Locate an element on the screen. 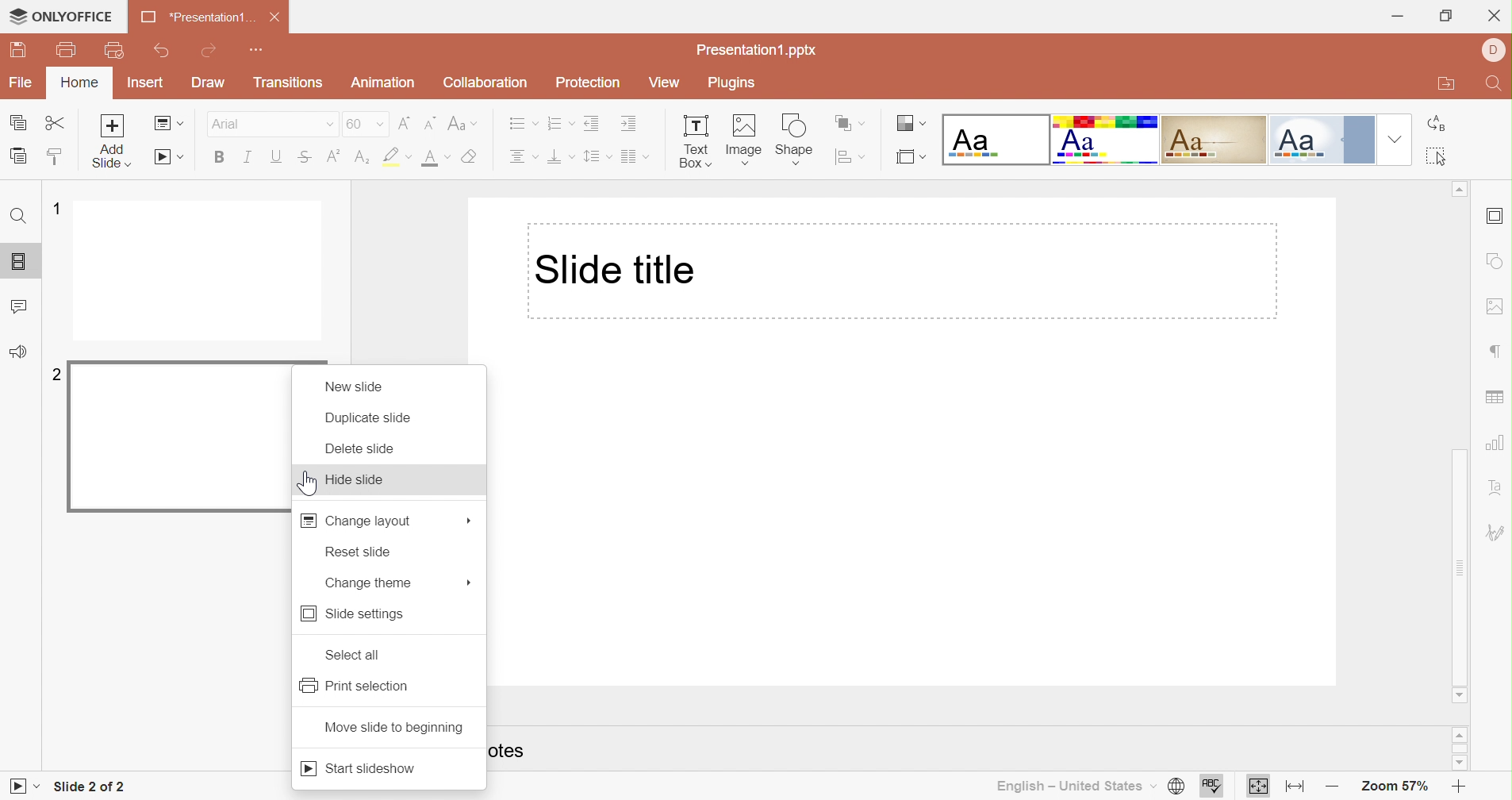 The height and width of the screenshot is (800, 1512). otes is located at coordinates (508, 752).